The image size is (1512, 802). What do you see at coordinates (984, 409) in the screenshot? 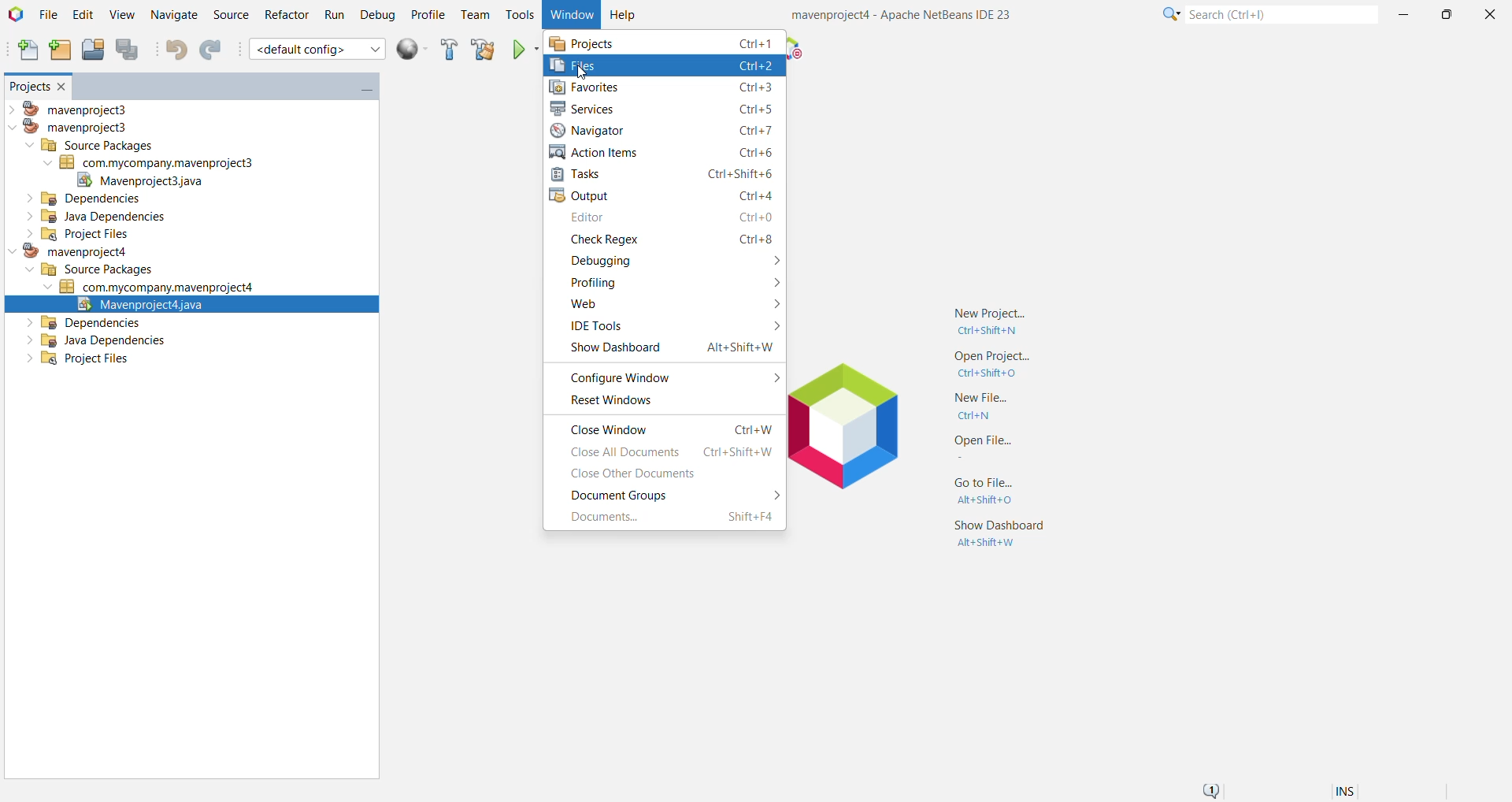
I see `New File` at bounding box center [984, 409].